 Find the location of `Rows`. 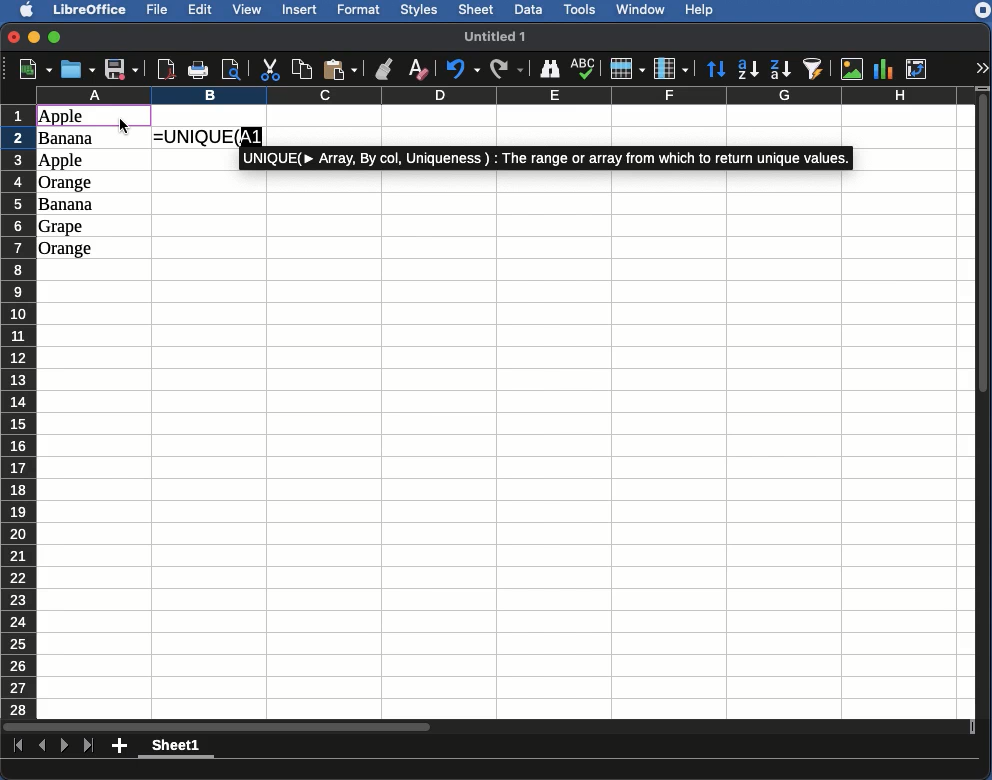

Rows is located at coordinates (19, 408).